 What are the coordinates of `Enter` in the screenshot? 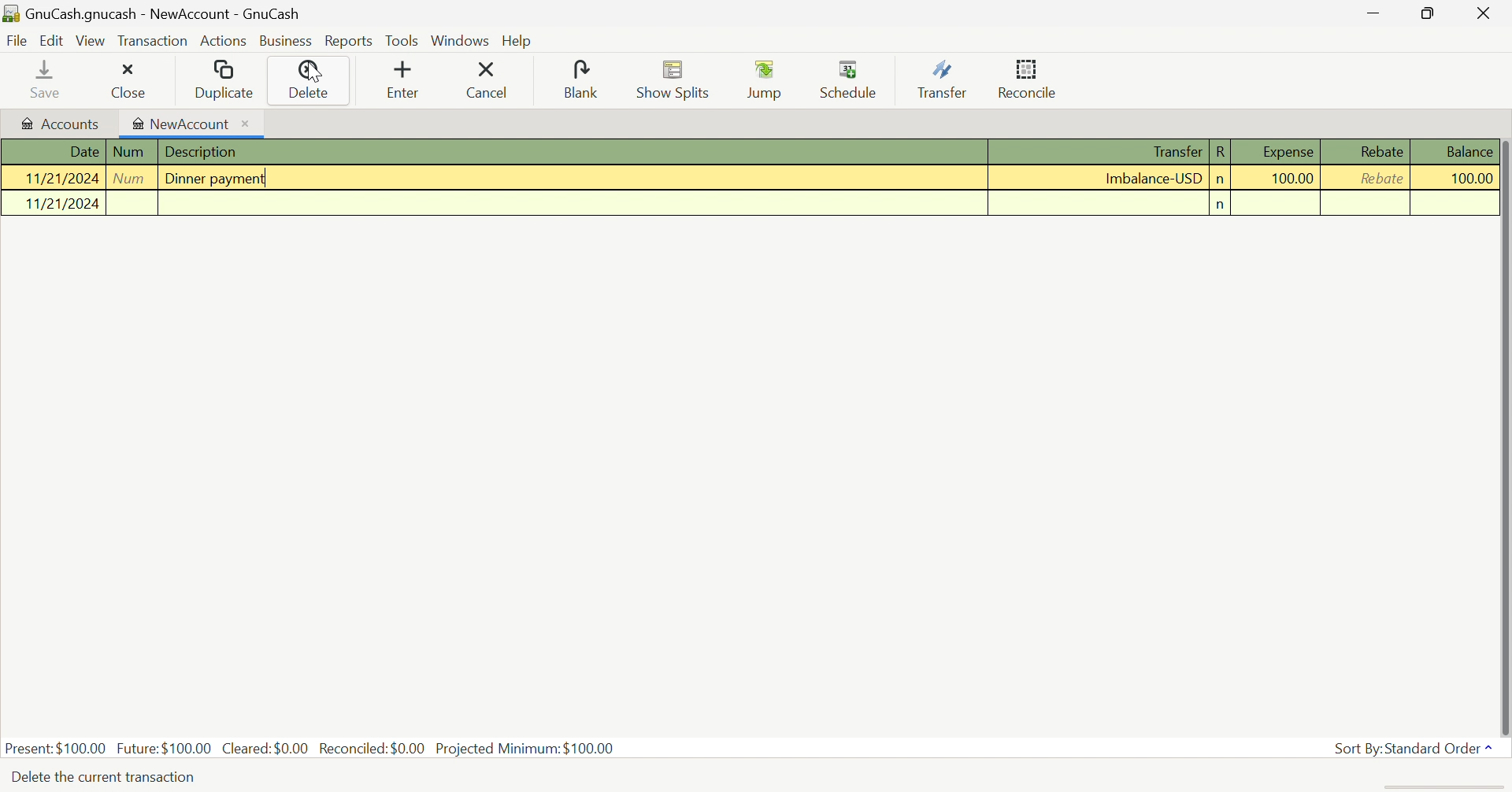 It's located at (412, 81).